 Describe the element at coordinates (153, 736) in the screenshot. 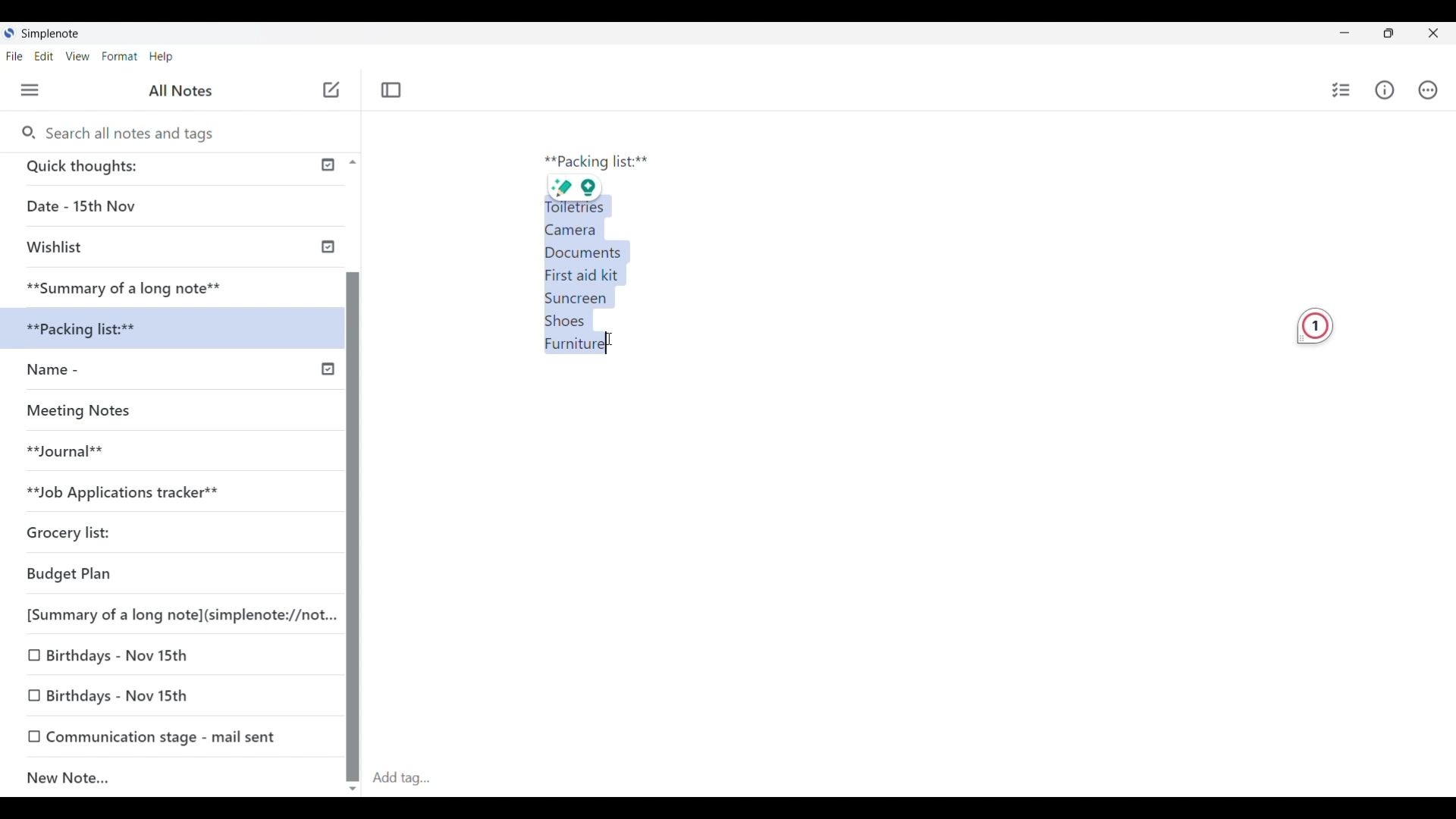

I see `0 Communication stage - mail sent` at that location.